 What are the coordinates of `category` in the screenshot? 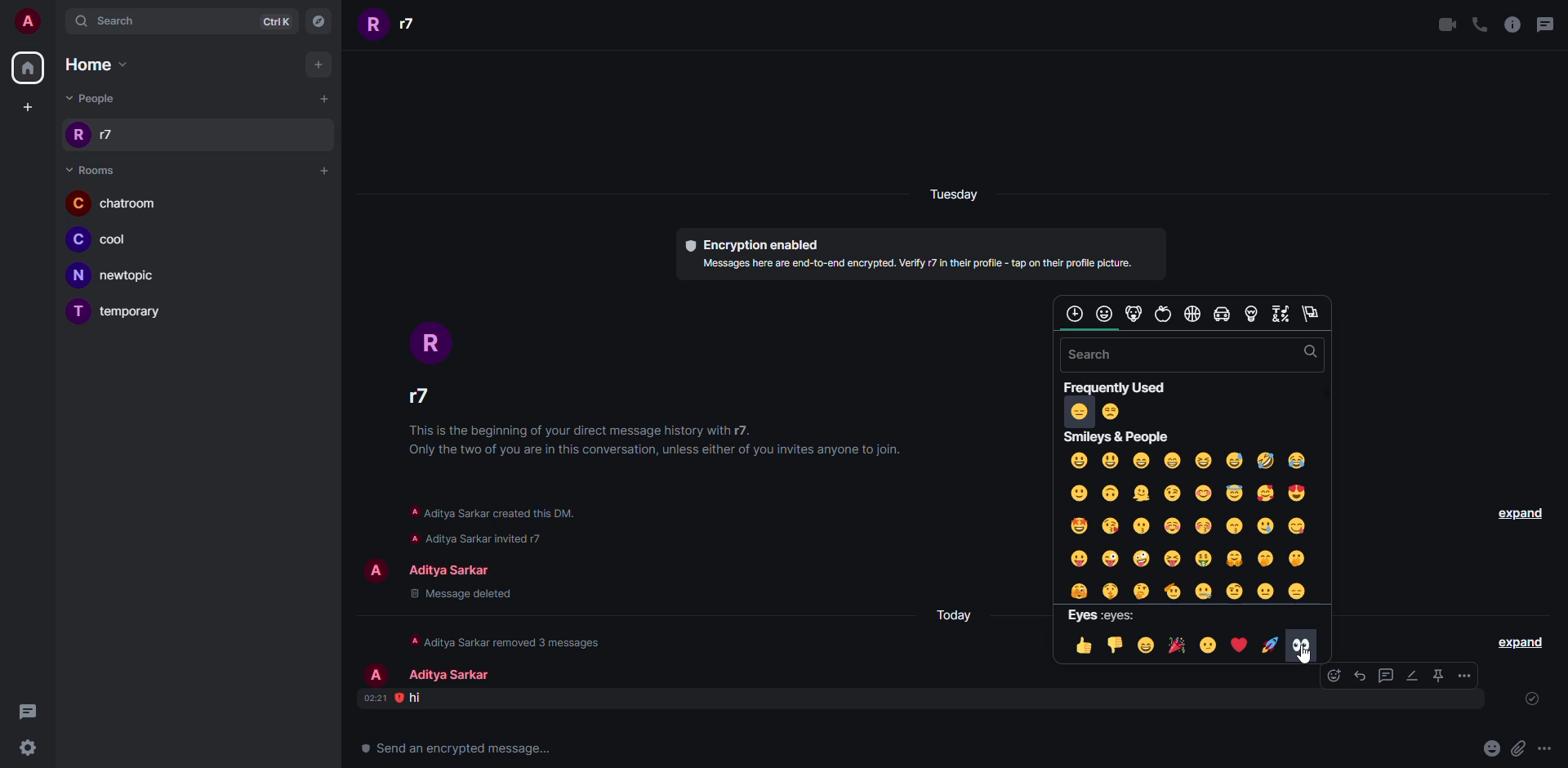 It's located at (1252, 314).